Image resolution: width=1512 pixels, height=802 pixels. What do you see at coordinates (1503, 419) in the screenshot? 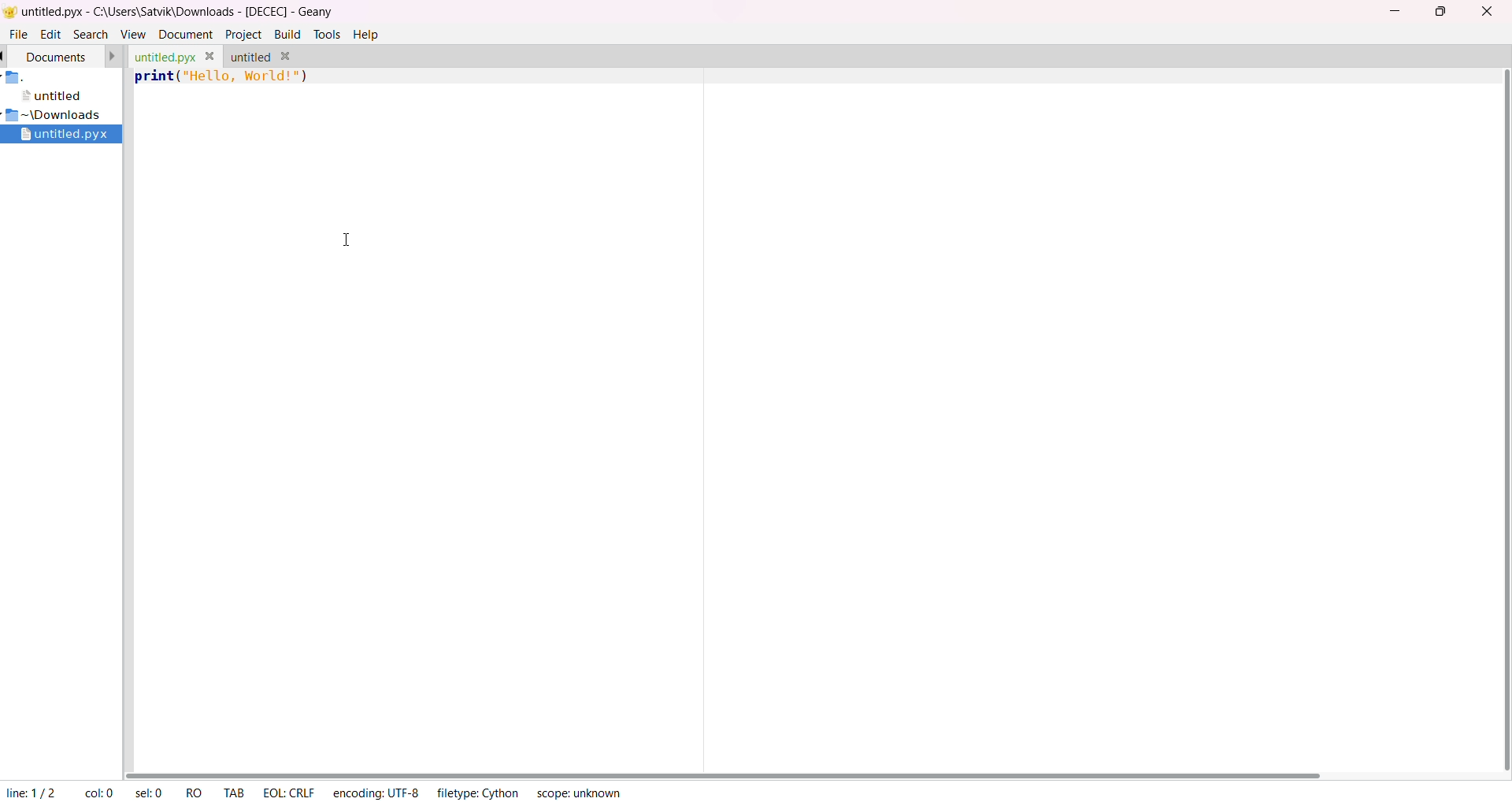
I see `vertical scroll bar` at bounding box center [1503, 419].